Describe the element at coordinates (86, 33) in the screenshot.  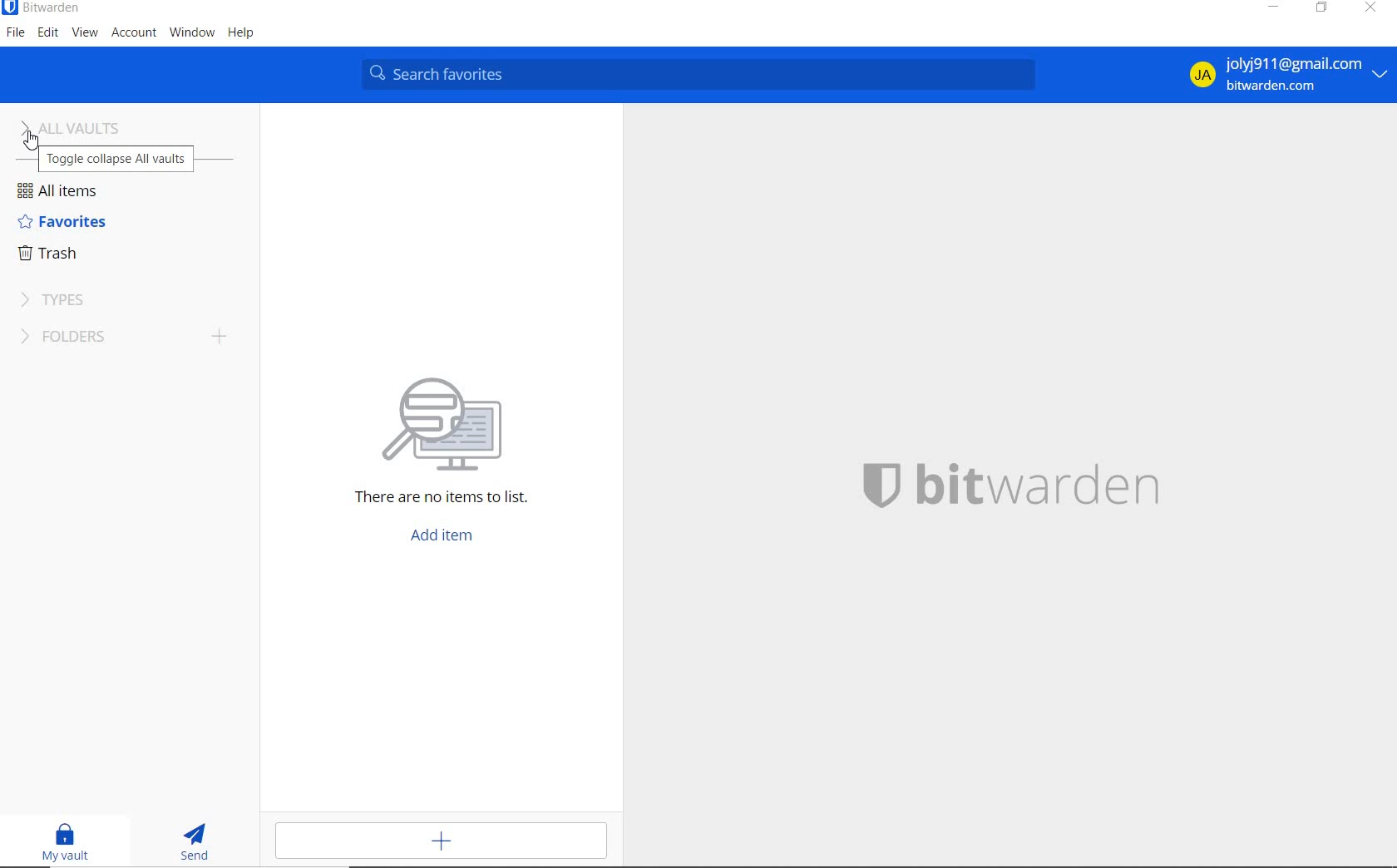
I see `VIEW` at that location.